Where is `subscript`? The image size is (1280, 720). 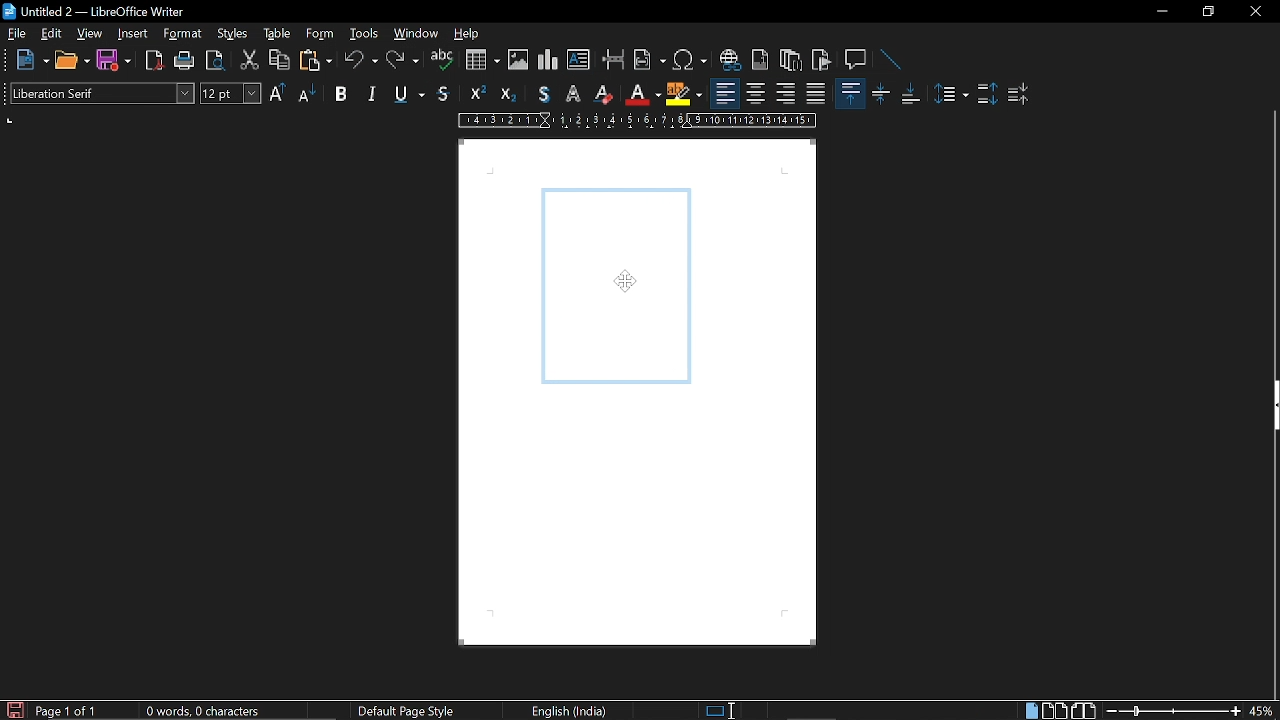 subscript is located at coordinates (511, 94).